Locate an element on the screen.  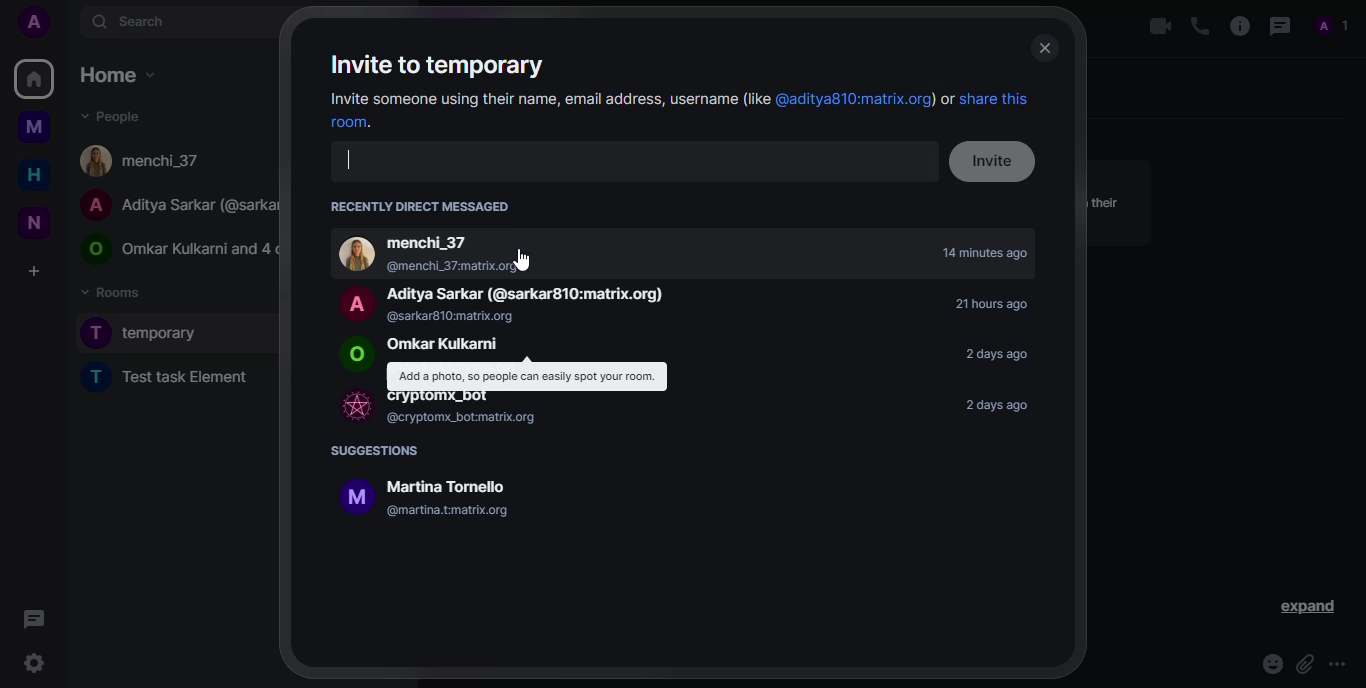
attach is located at coordinates (1301, 664).